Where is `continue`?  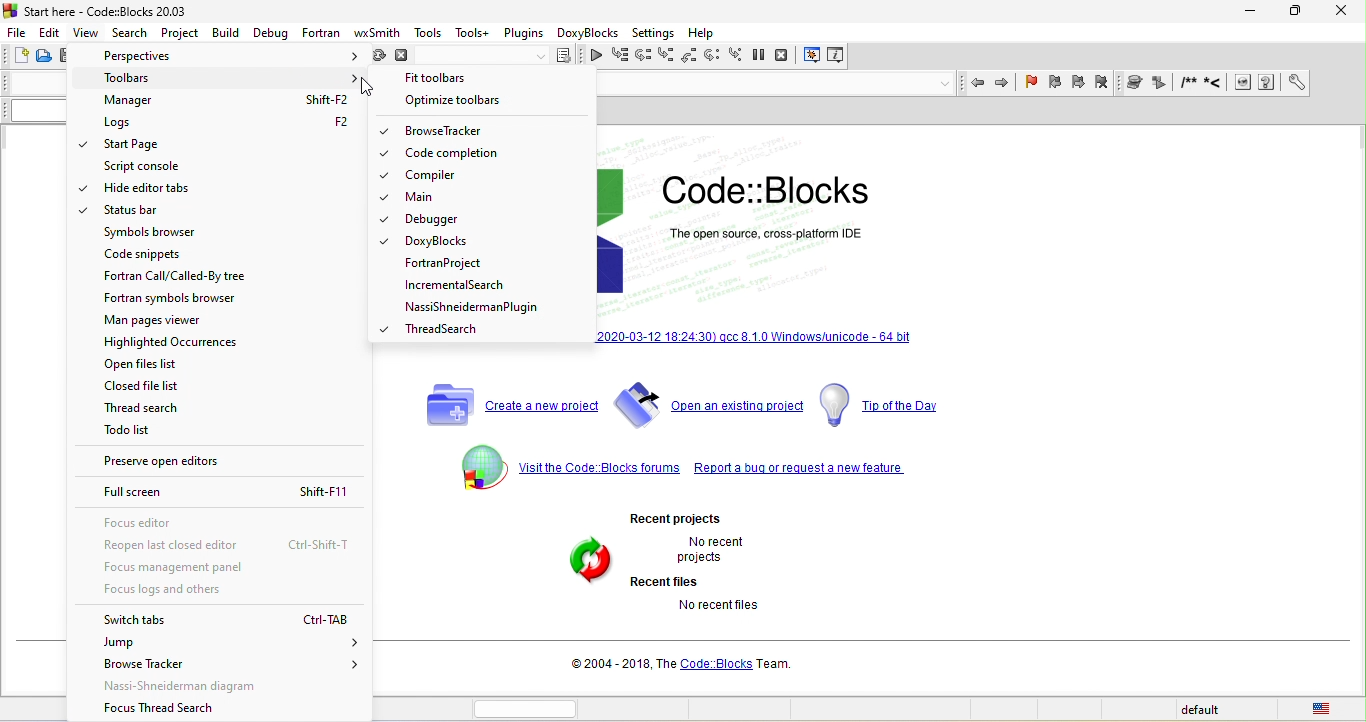 continue is located at coordinates (596, 59).